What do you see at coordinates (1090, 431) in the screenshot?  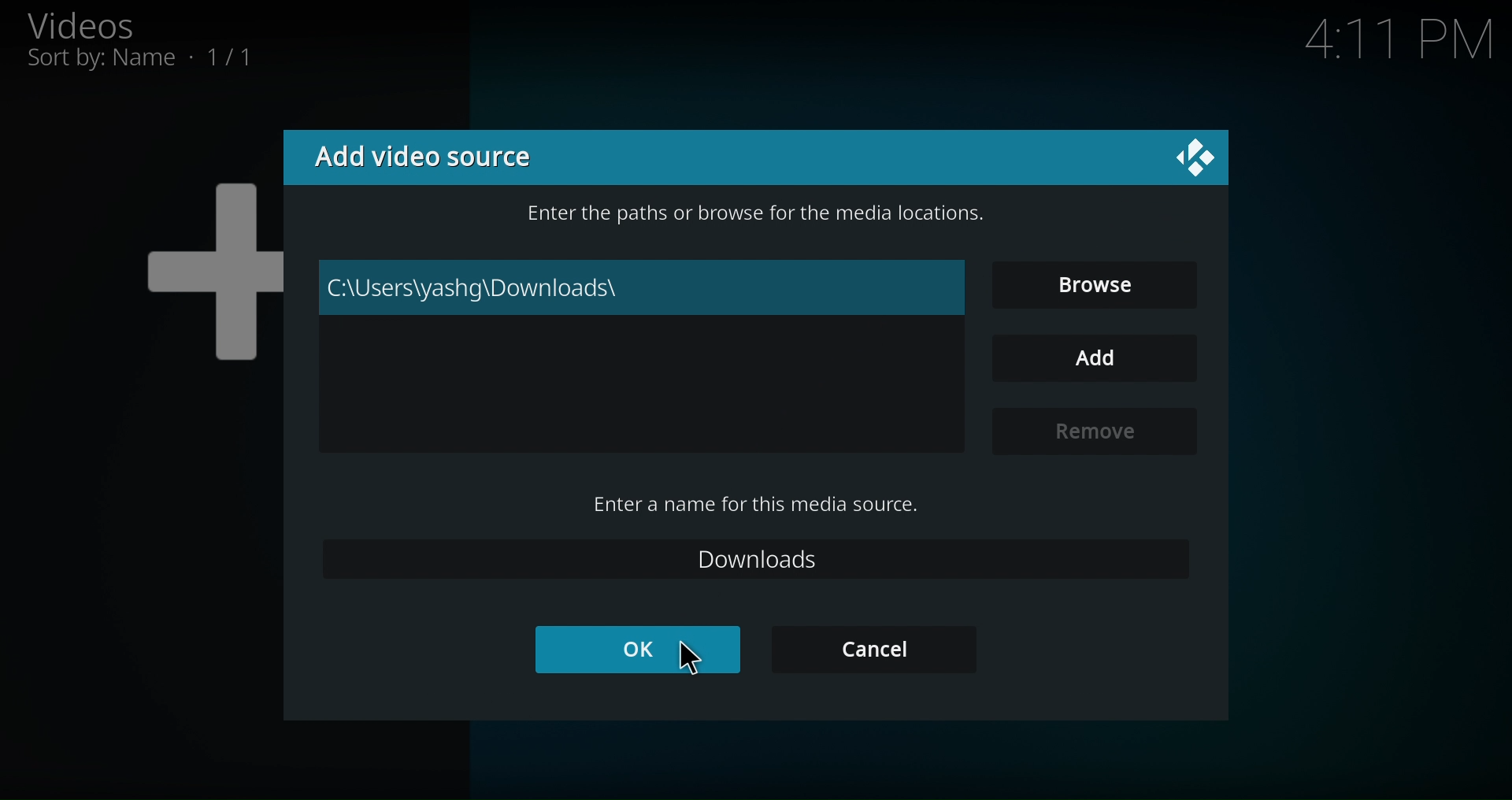 I see `Remove` at bounding box center [1090, 431].